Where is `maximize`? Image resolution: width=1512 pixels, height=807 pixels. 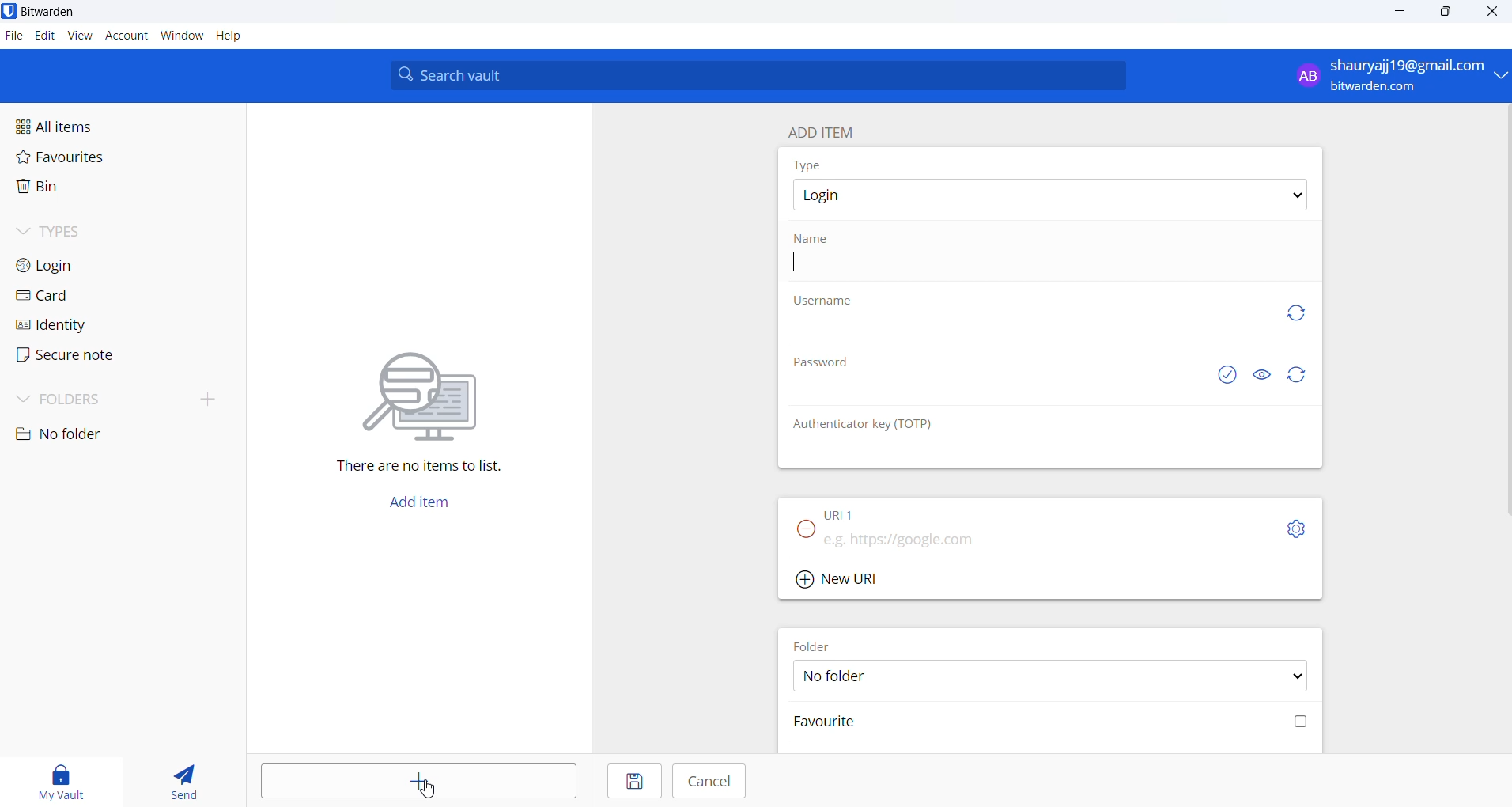 maximize is located at coordinates (1443, 13).